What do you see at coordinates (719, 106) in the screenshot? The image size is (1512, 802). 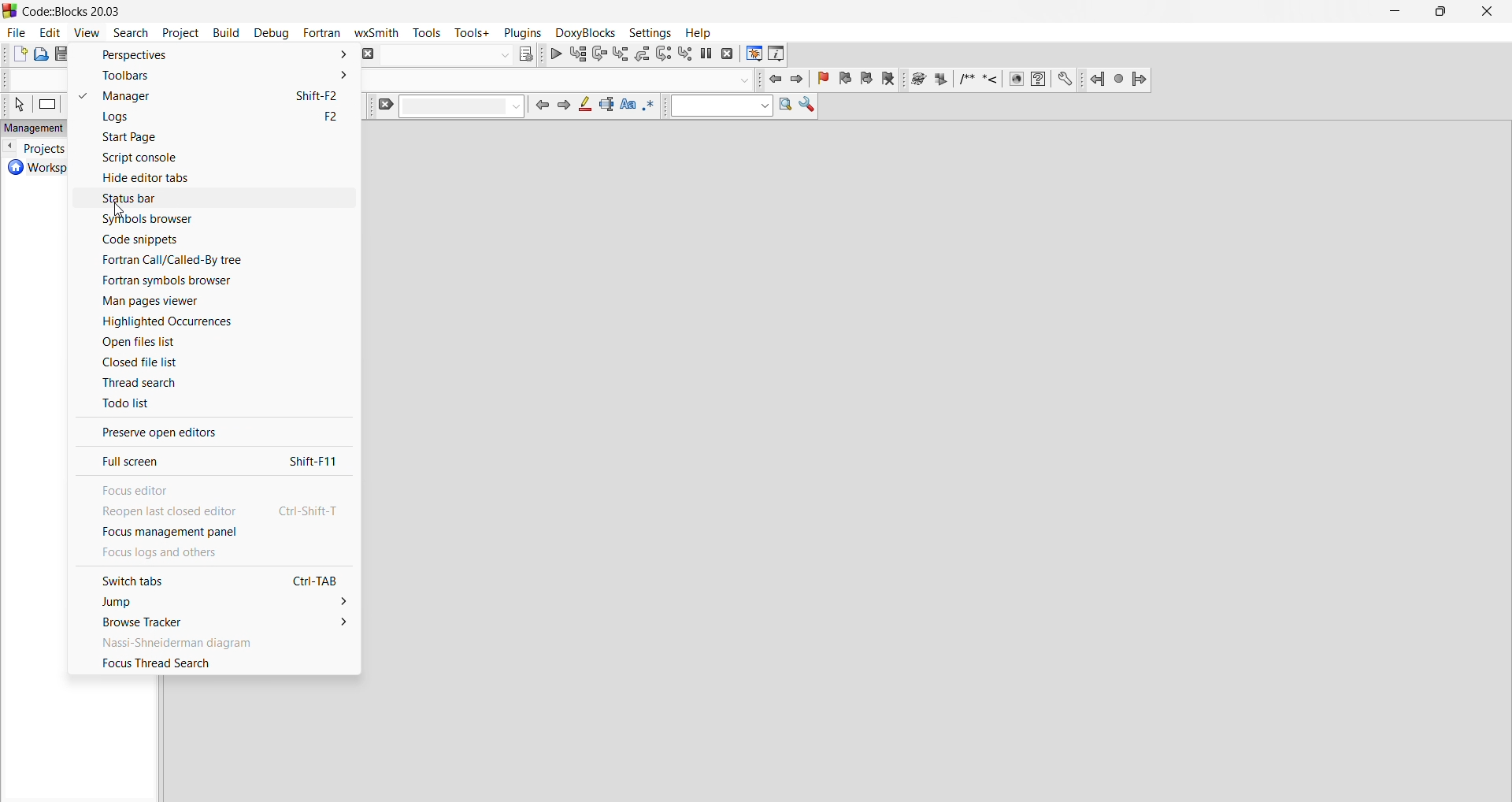 I see `text to search` at bounding box center [719, 106].